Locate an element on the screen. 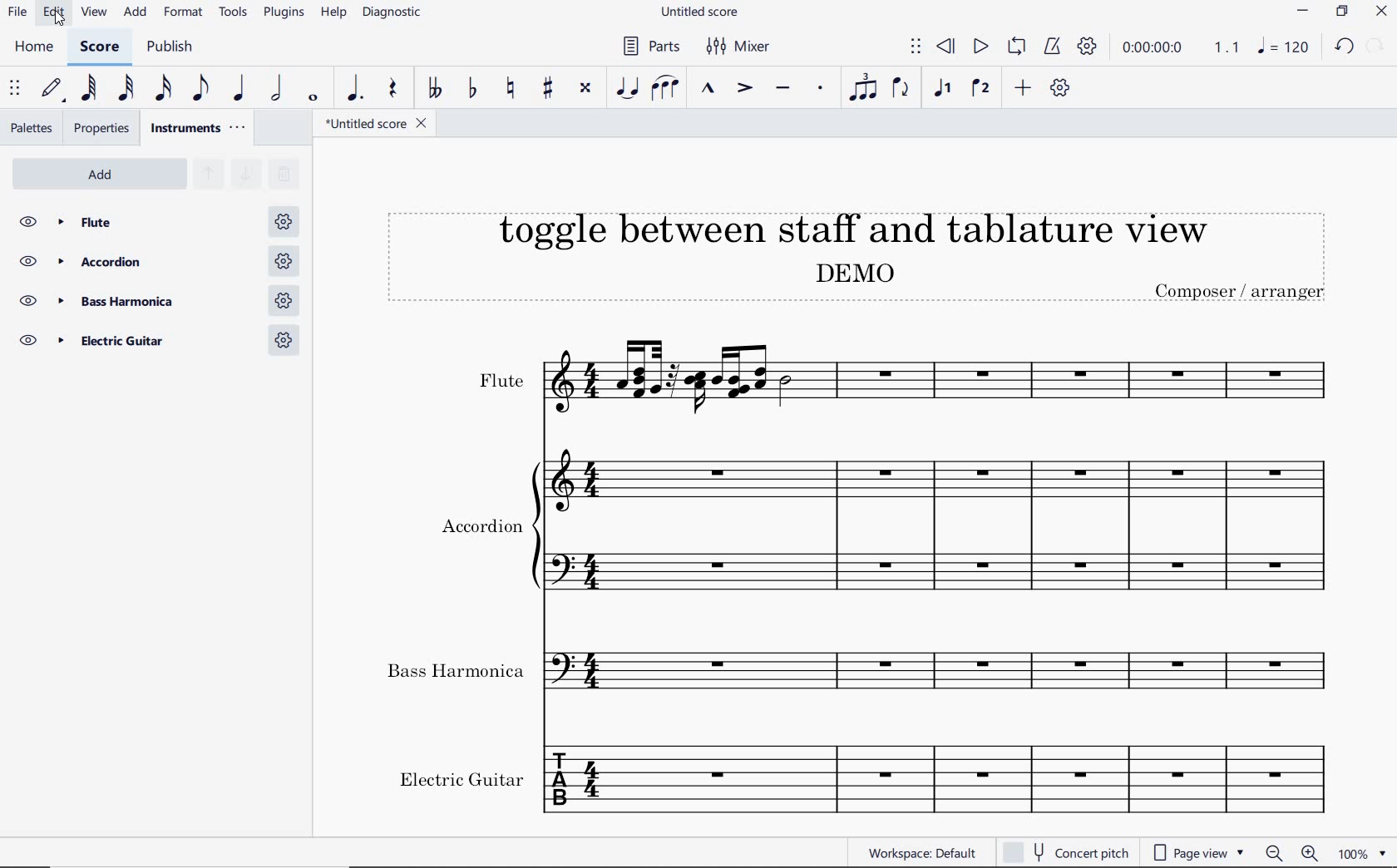 The width and height of the screenshot is (1397, 868). toggle natural is located at coordinates (512, 88).